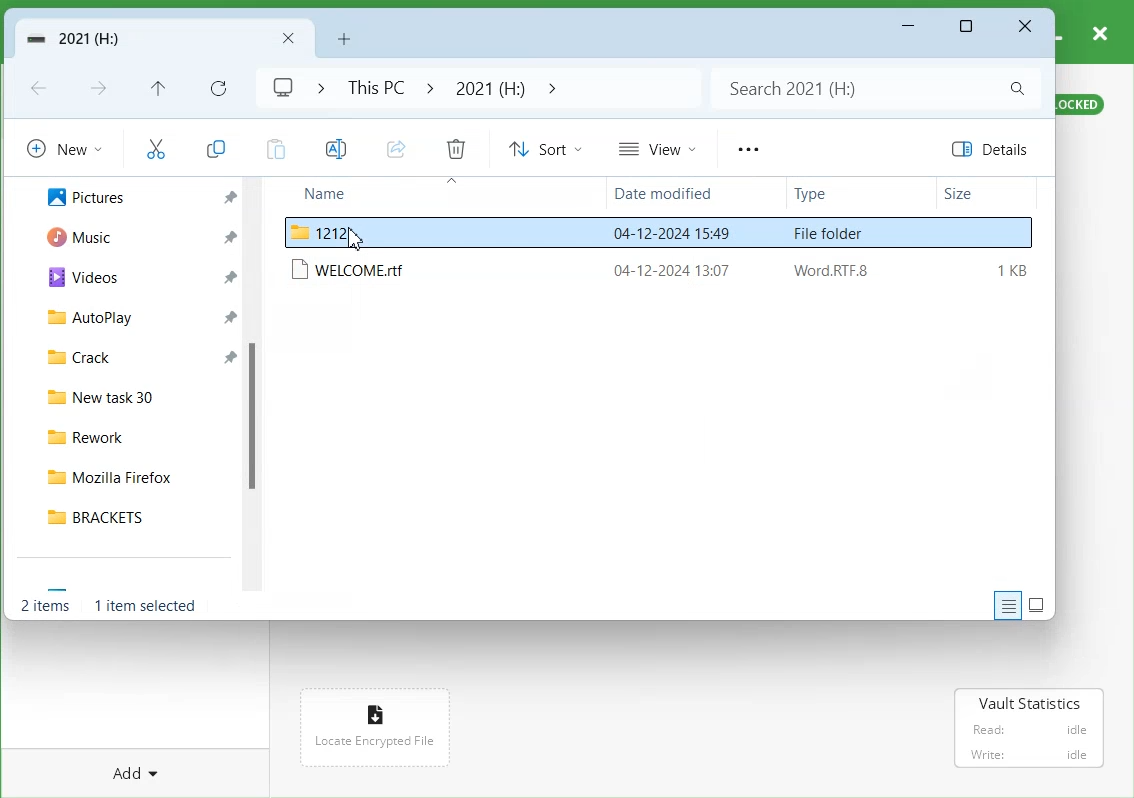  What do you see at coordinates (47, 604) in the screenshot?
I see `Text` at bounding box center [47, 604].